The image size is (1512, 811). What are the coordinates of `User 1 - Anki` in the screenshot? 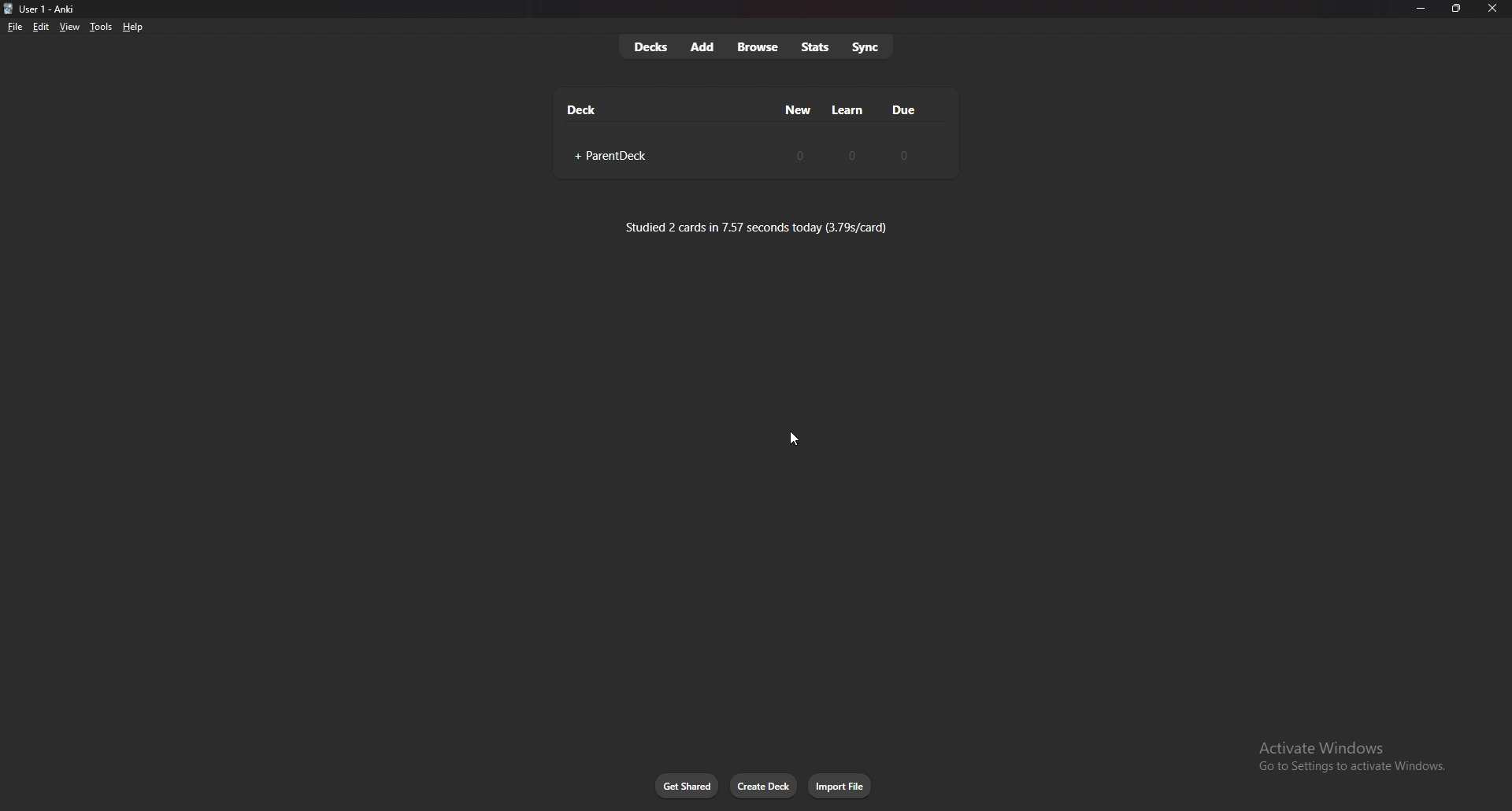 It's located at (52, 9).